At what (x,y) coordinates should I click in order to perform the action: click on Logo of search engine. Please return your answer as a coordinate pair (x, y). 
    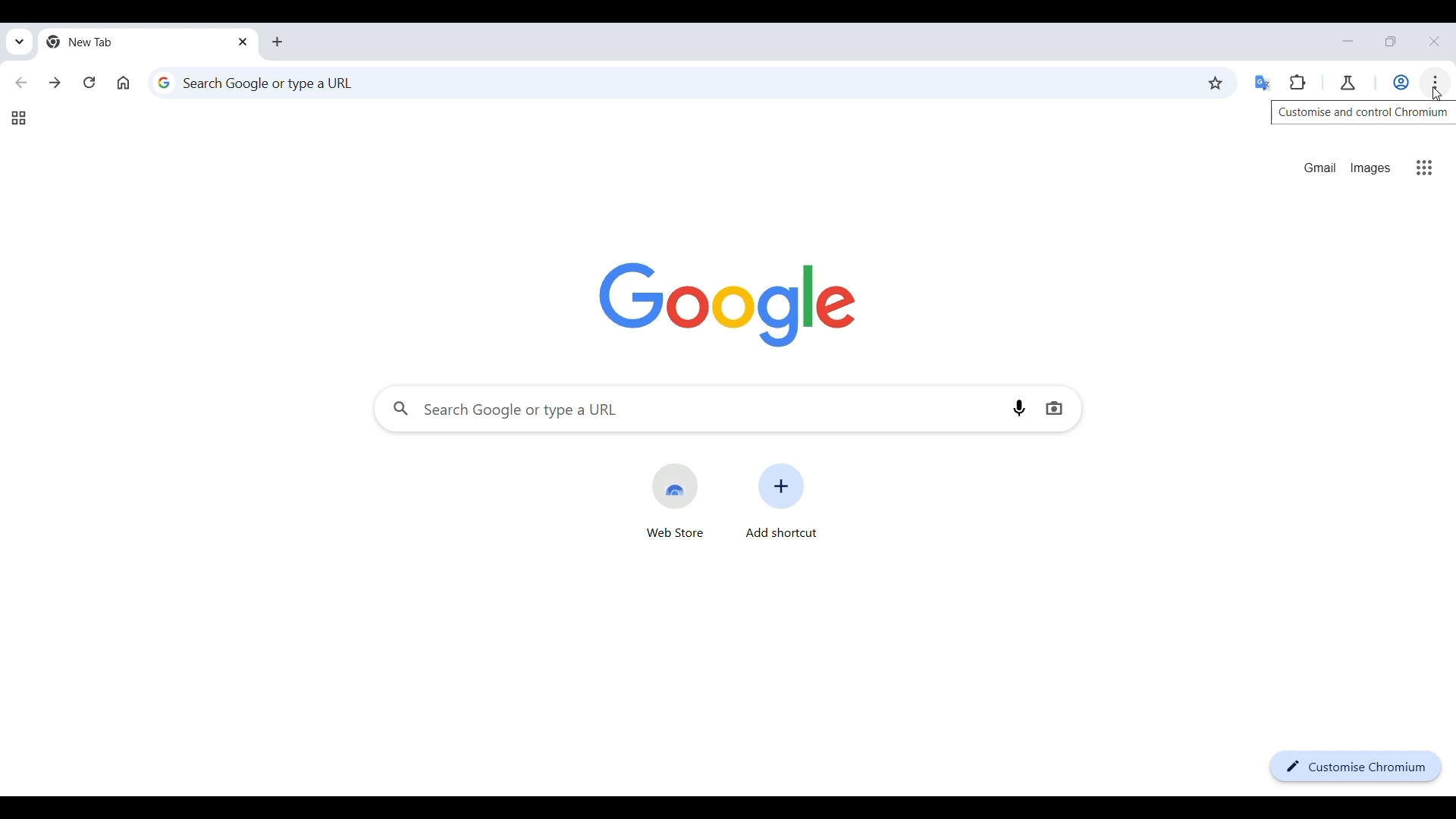
    Looking at the image, I should click on (729, 306).